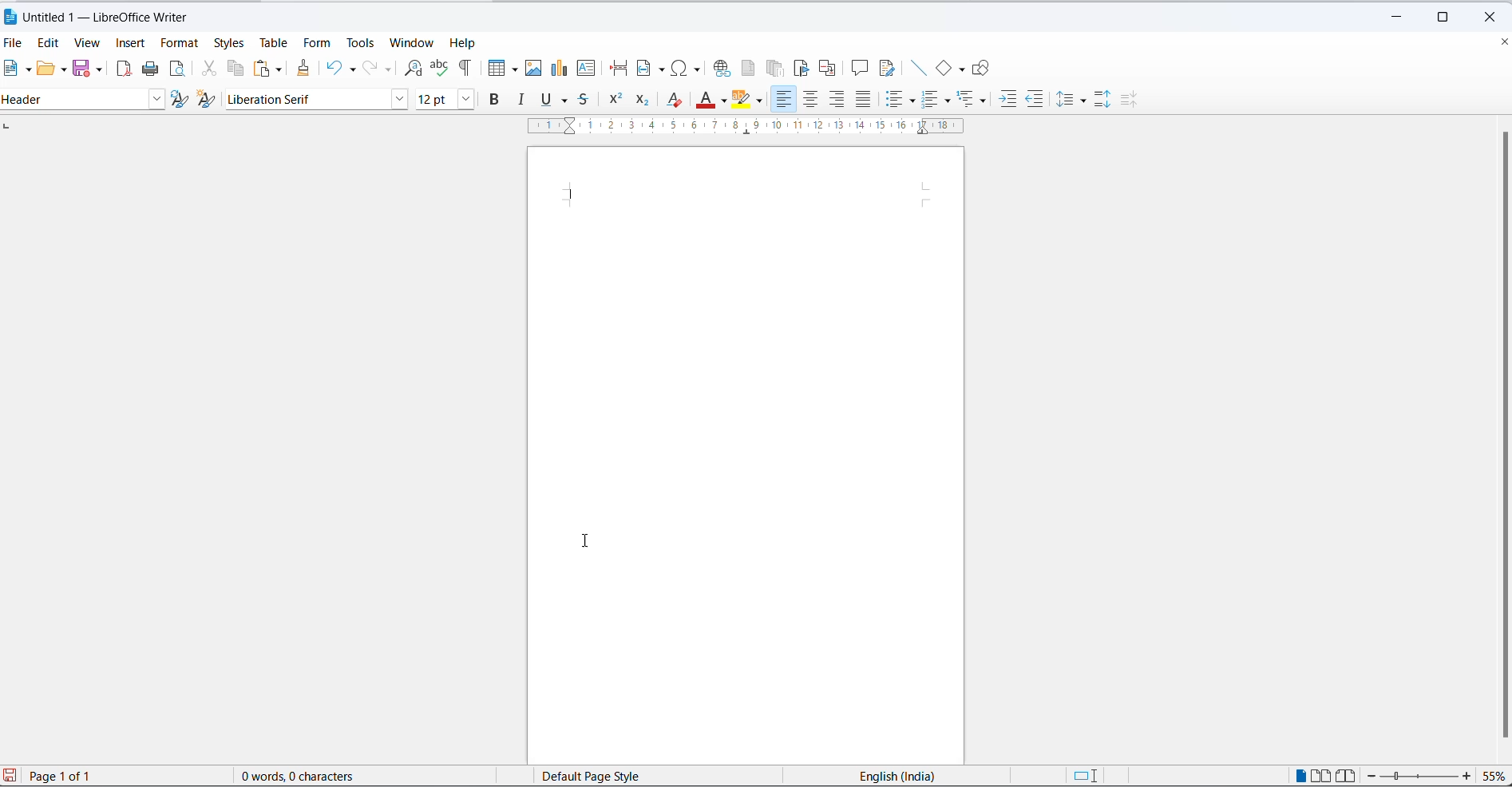  What do you see at coordinates (333, 69) in the screenshot?
I see `undo` at bounding box center [333, 69].